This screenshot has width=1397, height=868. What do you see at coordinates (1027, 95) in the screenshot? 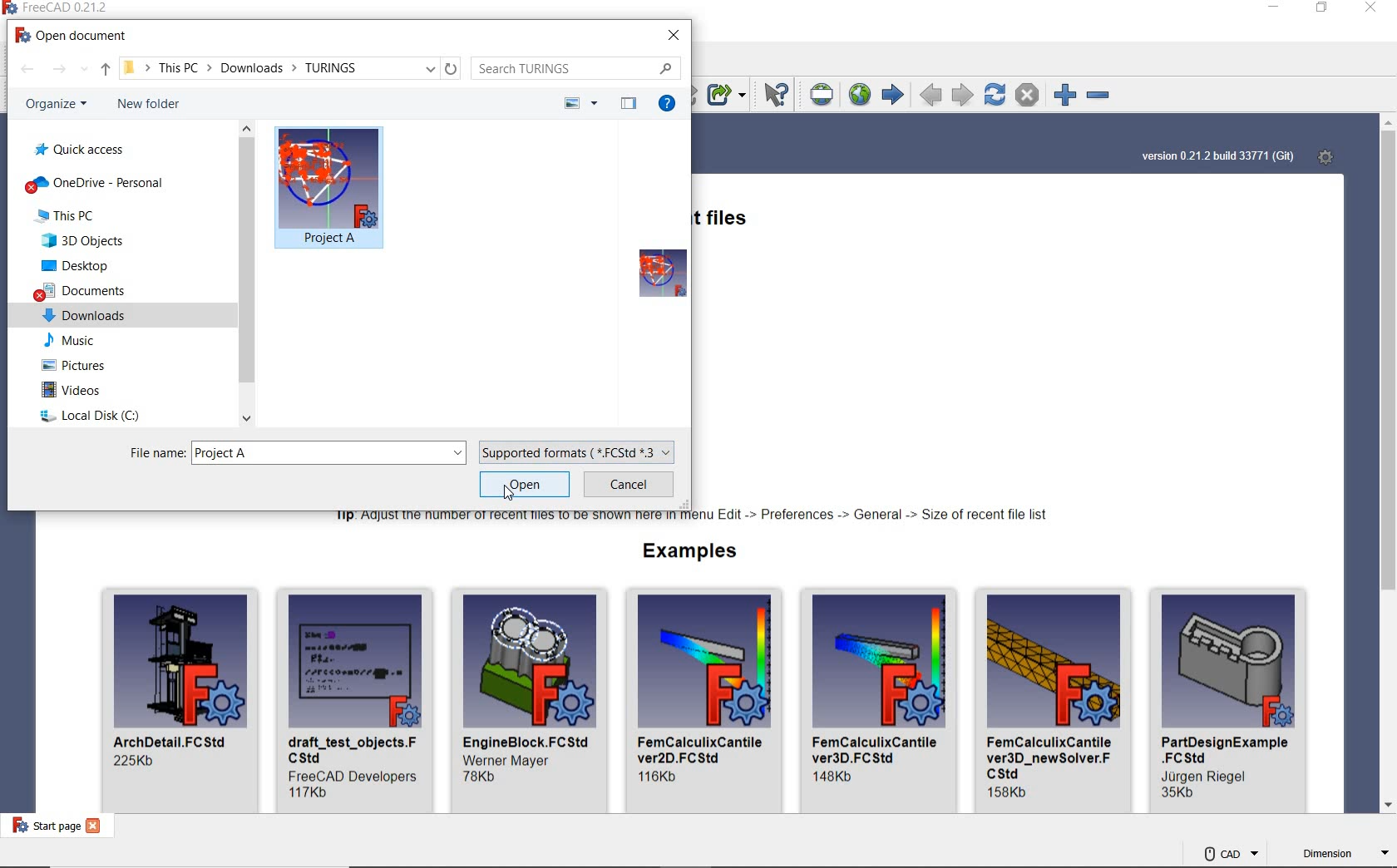
I see `STOP LOADING` at bounding box center [1027, 95].